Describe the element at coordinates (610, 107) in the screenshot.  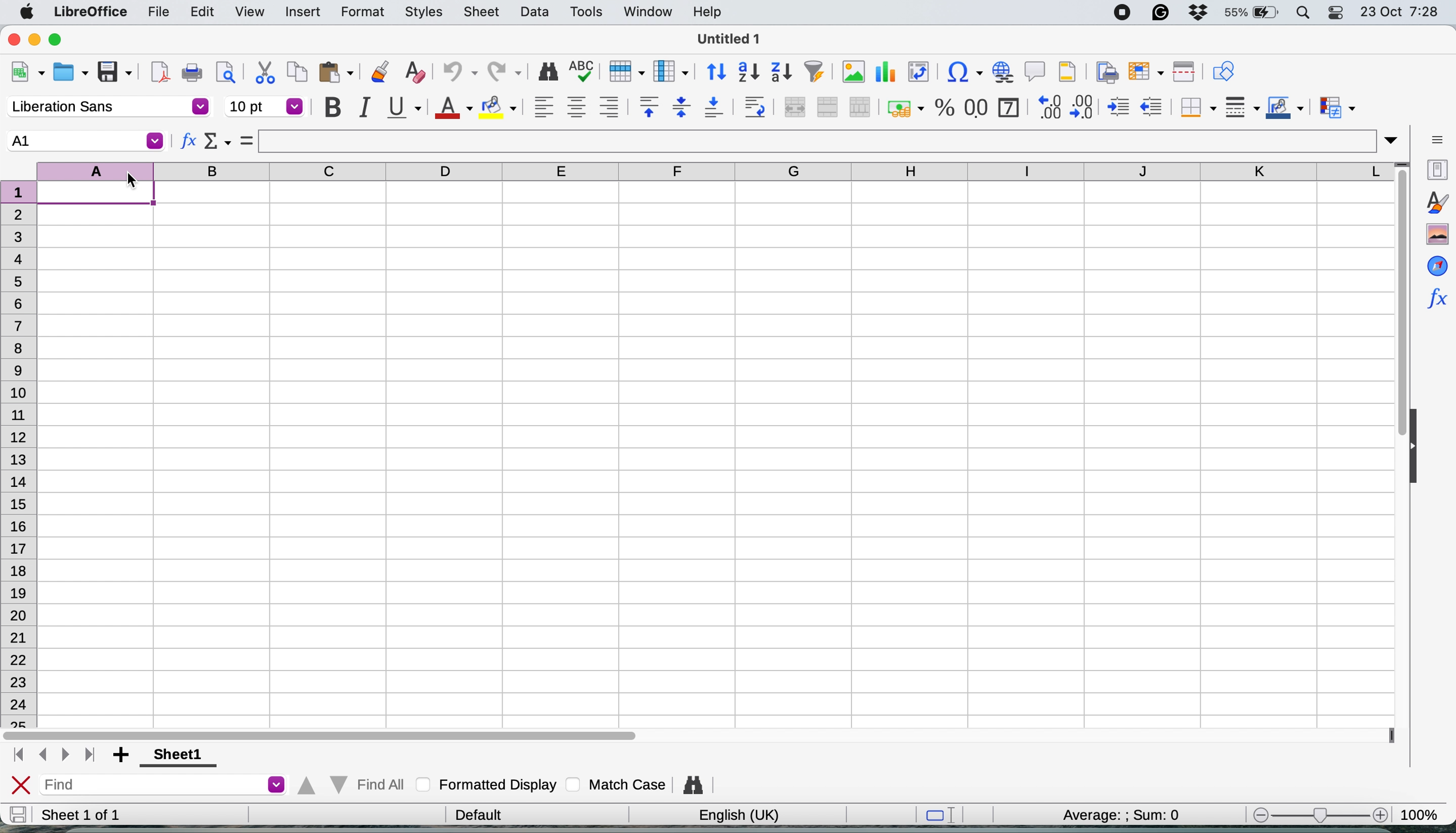
I see `align right` at that location.